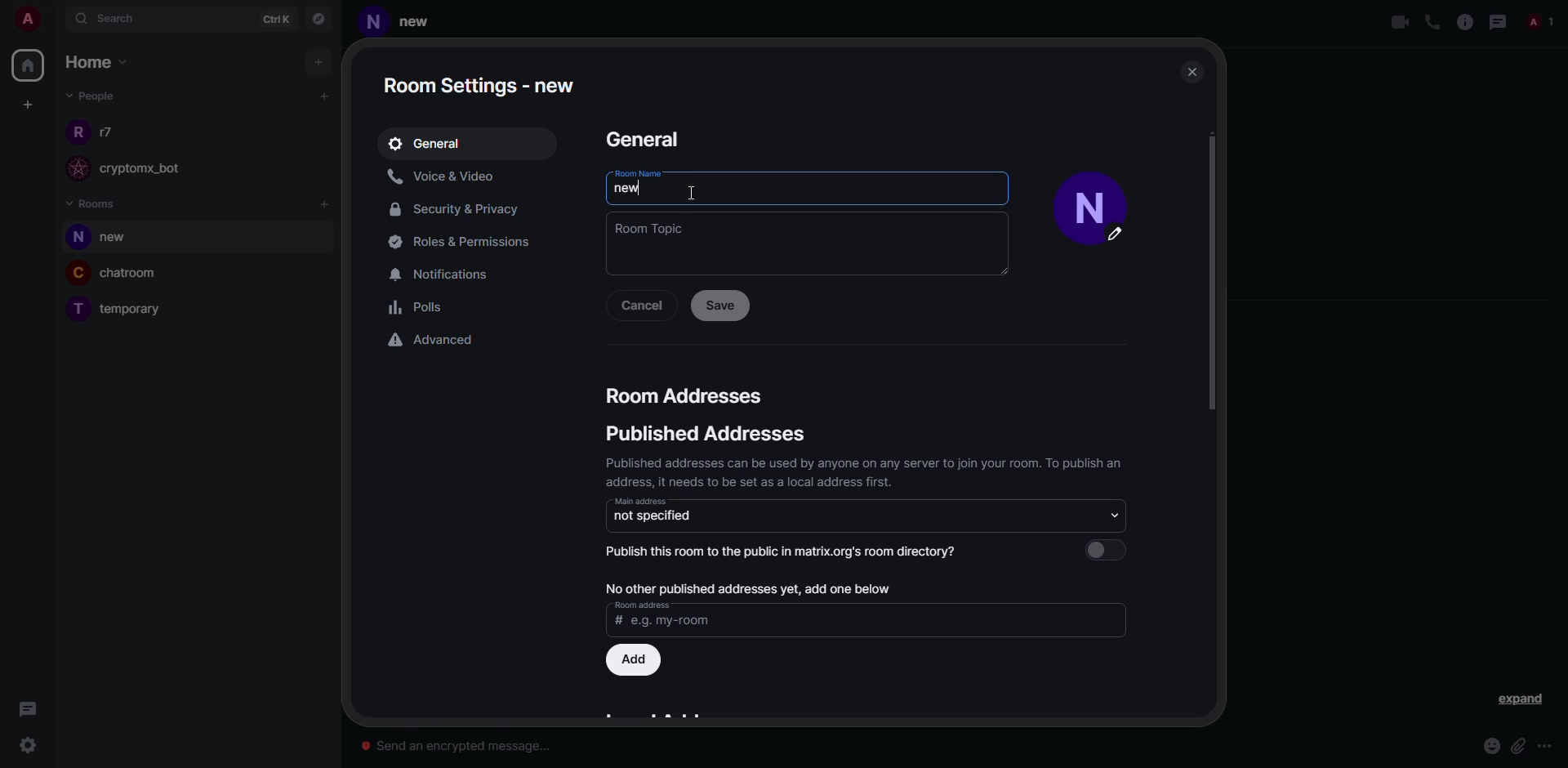 This screenshot has width=1568, height=768. I want to click on add, so click(326, 205).